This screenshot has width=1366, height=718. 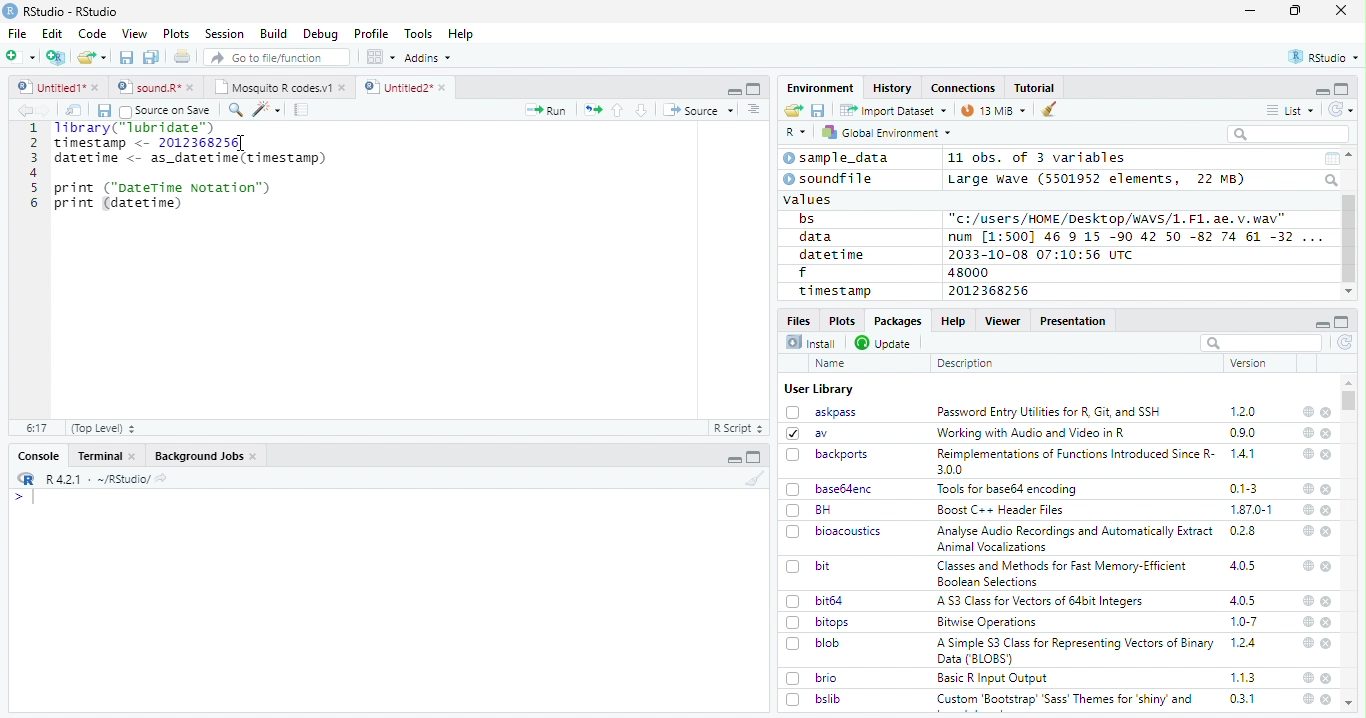 What do you see at coordinates (1307, 411) in the screenshot?
I see `help` at bounding box center [1307, 411].